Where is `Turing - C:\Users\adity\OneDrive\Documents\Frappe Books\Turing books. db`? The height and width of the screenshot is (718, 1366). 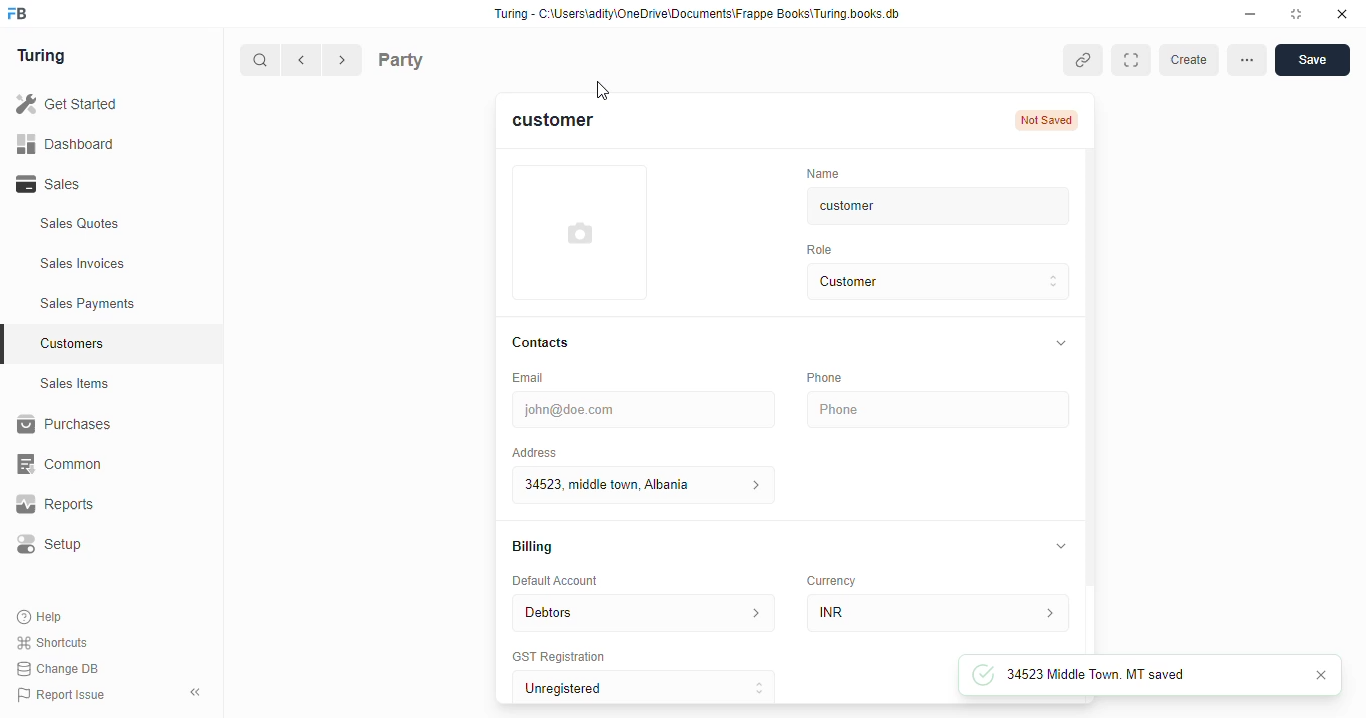 Turing - C:\Users\adity\OneDrive\Documents\Frappe Books\Turing books. db is located at coordinates (703, 16).